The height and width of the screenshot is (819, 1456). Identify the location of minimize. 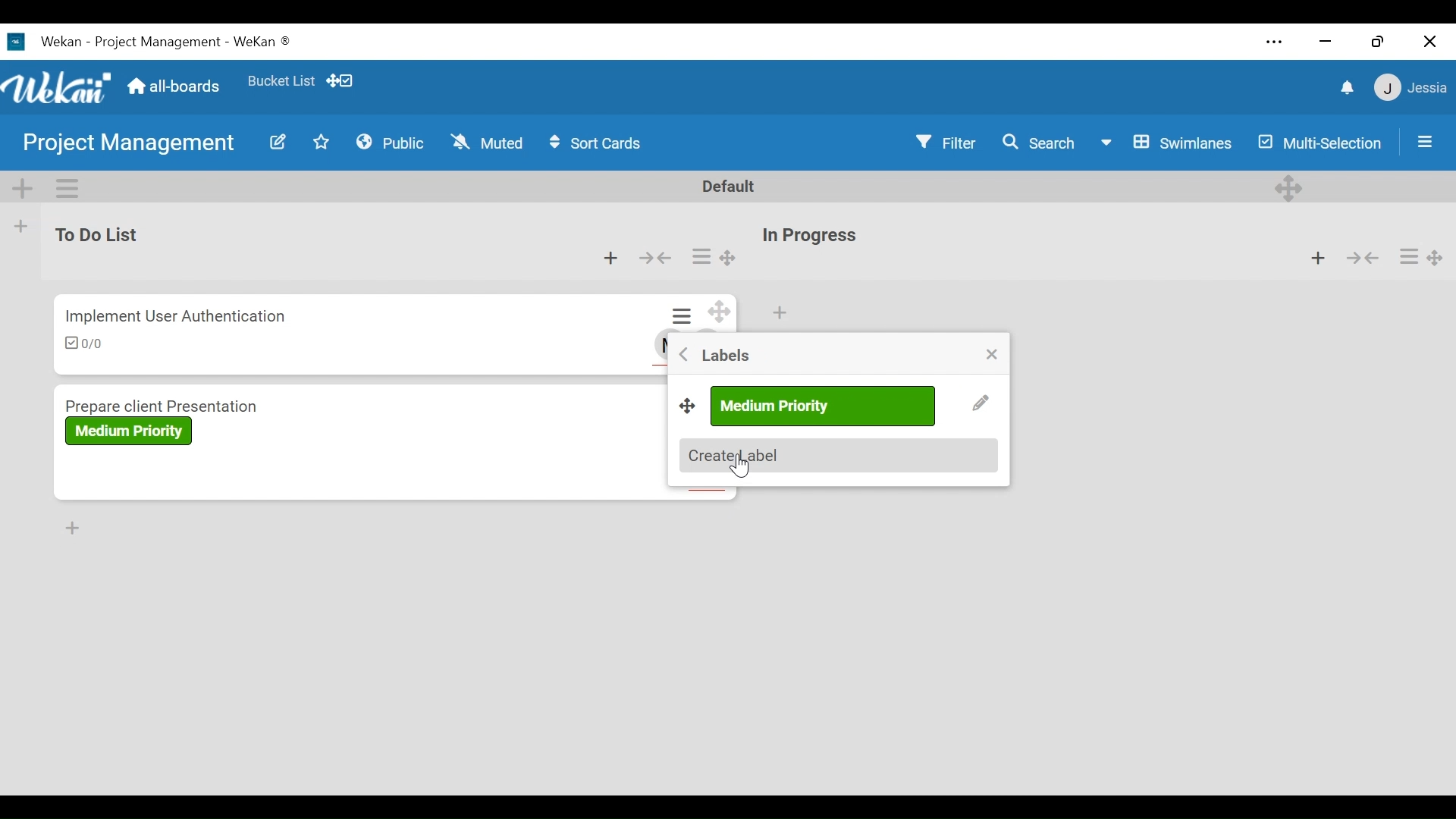
(1323, 41).